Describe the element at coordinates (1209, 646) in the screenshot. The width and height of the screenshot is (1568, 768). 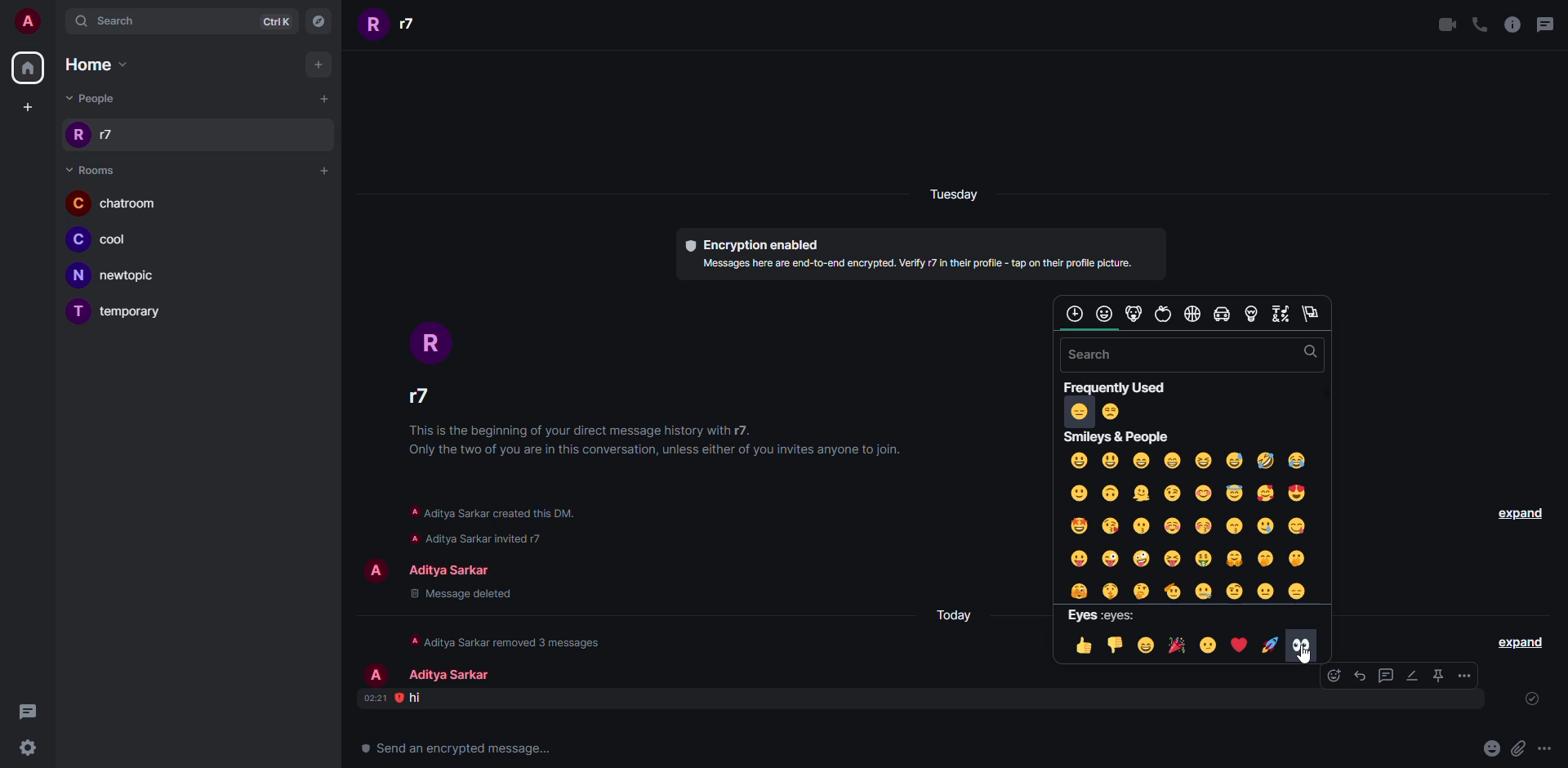
I see `sad` at that location.